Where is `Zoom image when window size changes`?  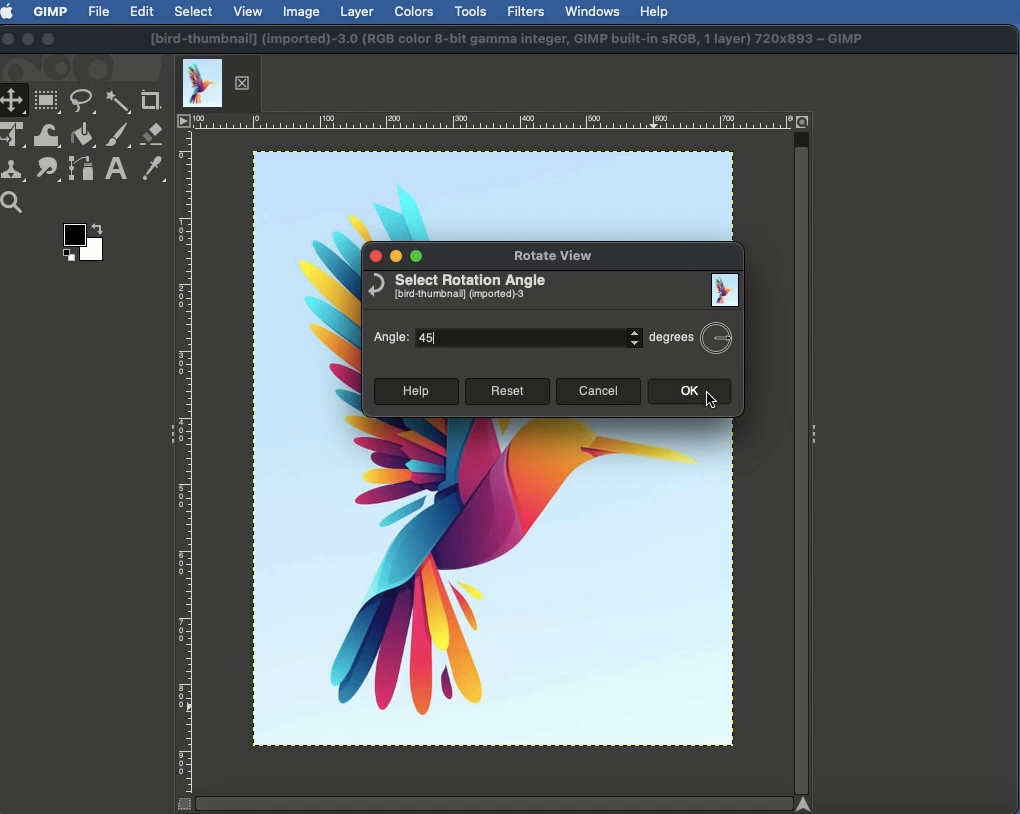 Zoom image when window size changes is located at coordinates (804, 120).